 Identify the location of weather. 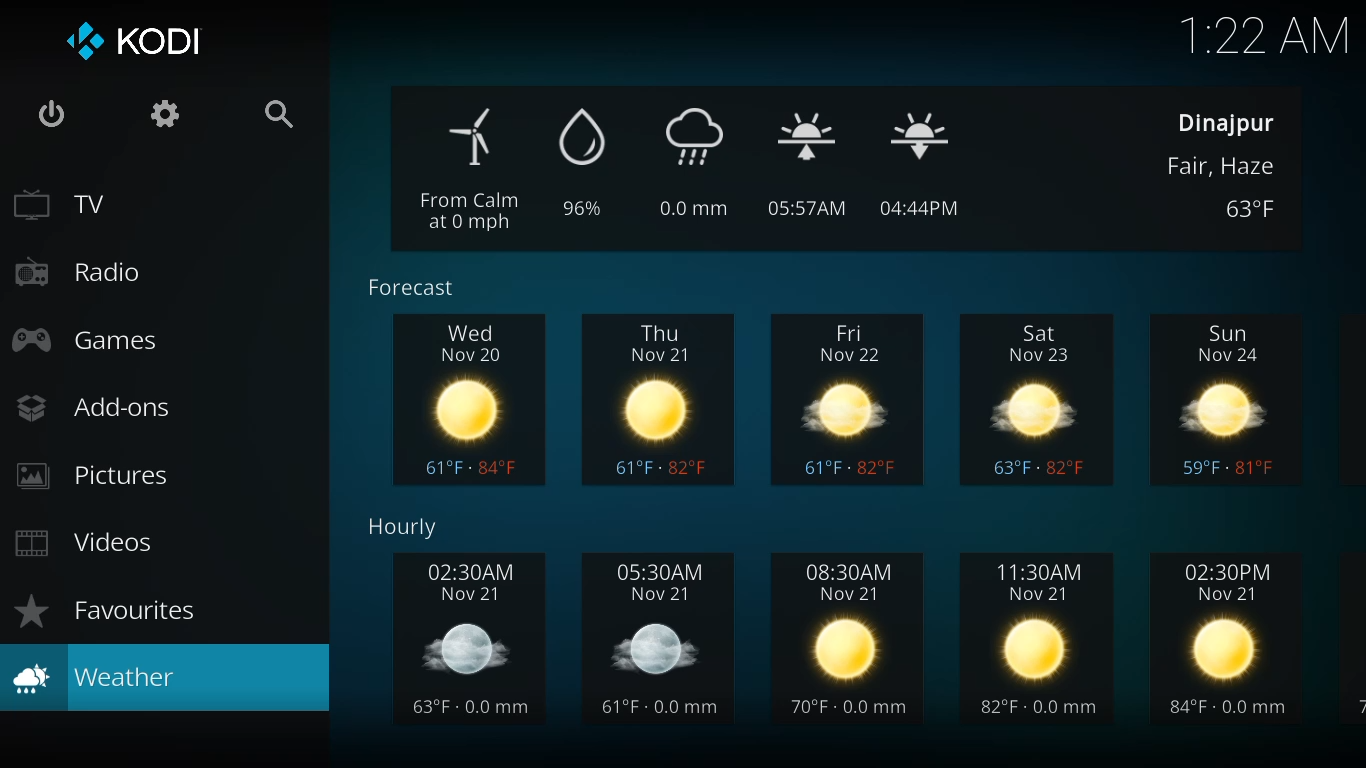
(97, 677).